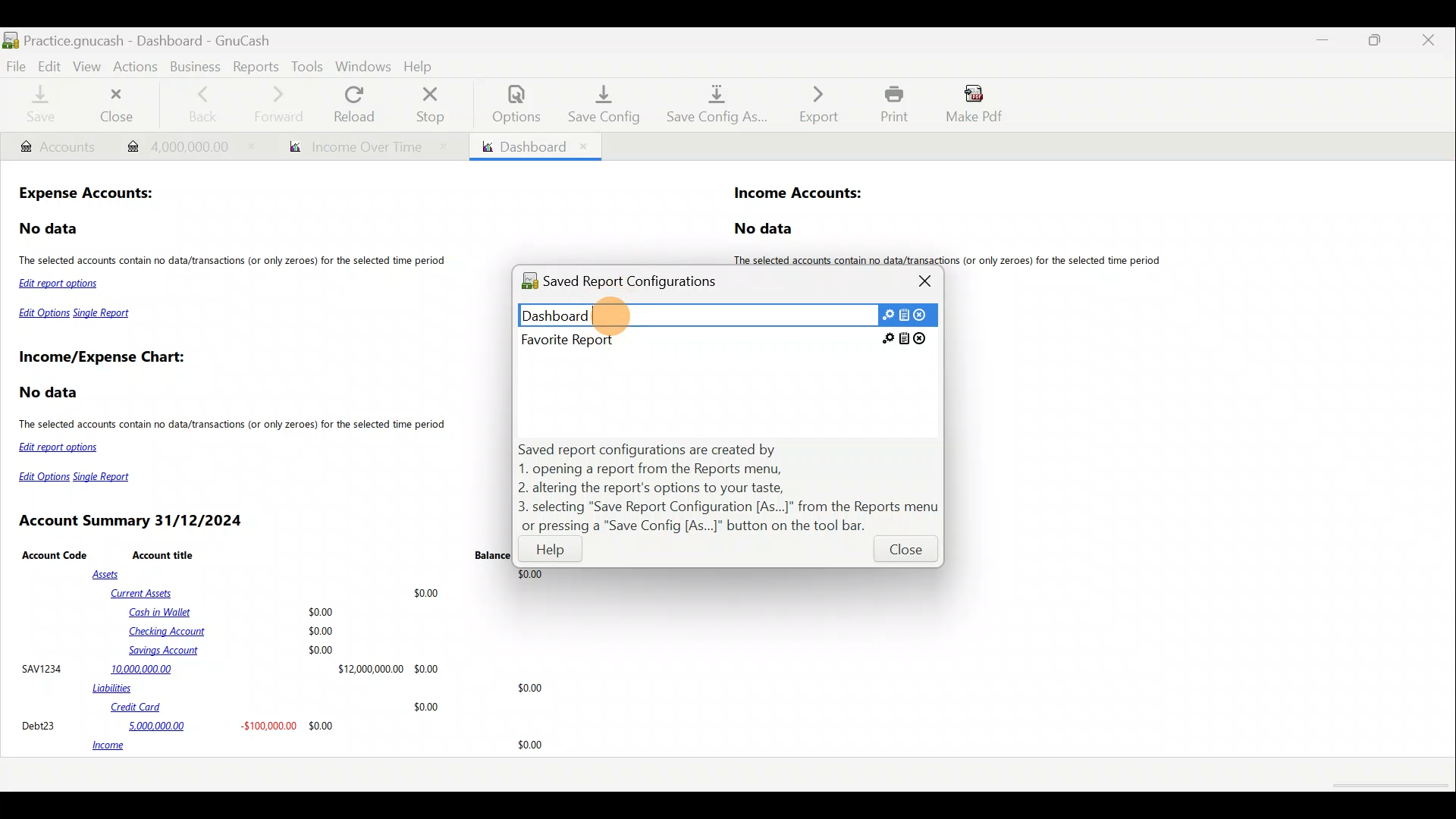 This screenshot has height=819, width=1456. Describe the element at coordinates (169, 36) in the screenshot. I see `Document name` at that location.